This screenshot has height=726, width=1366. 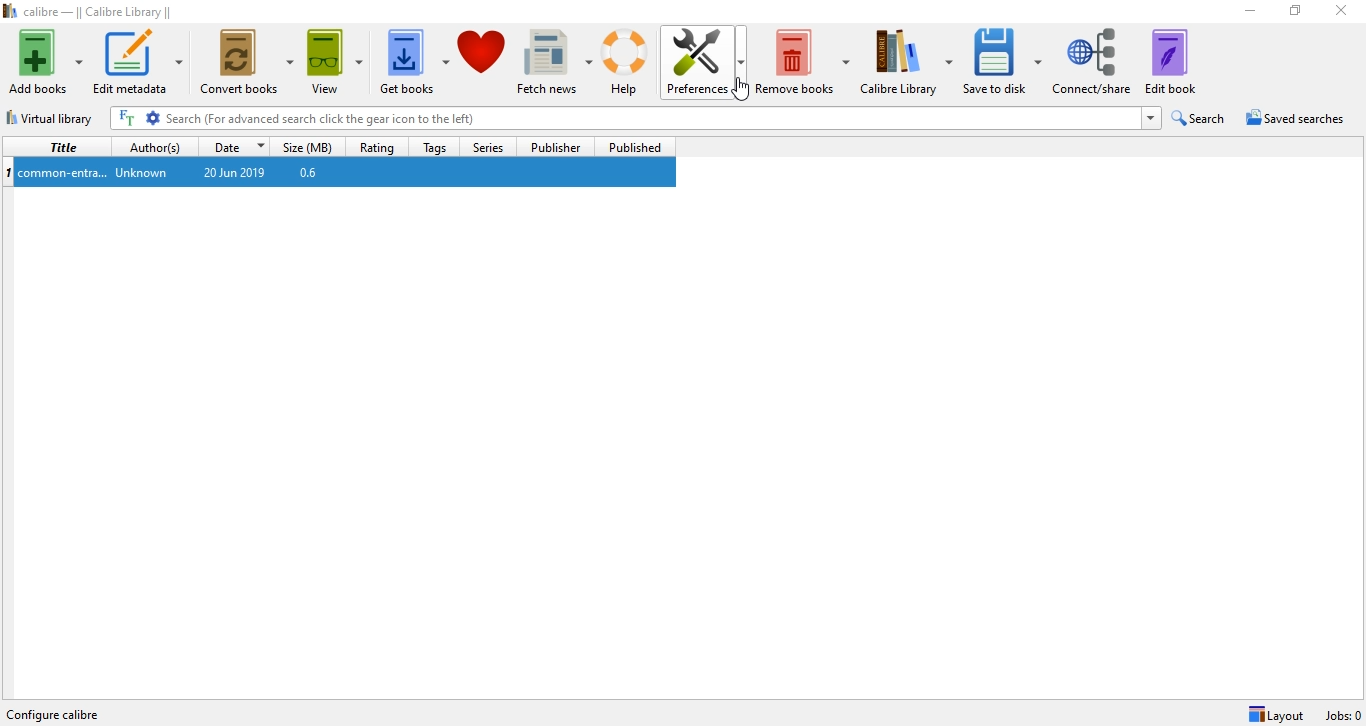 What do you see at coordinates (63, 711) in the screenshot?
I see `Configure calibre` at bounding box center [63, 711].